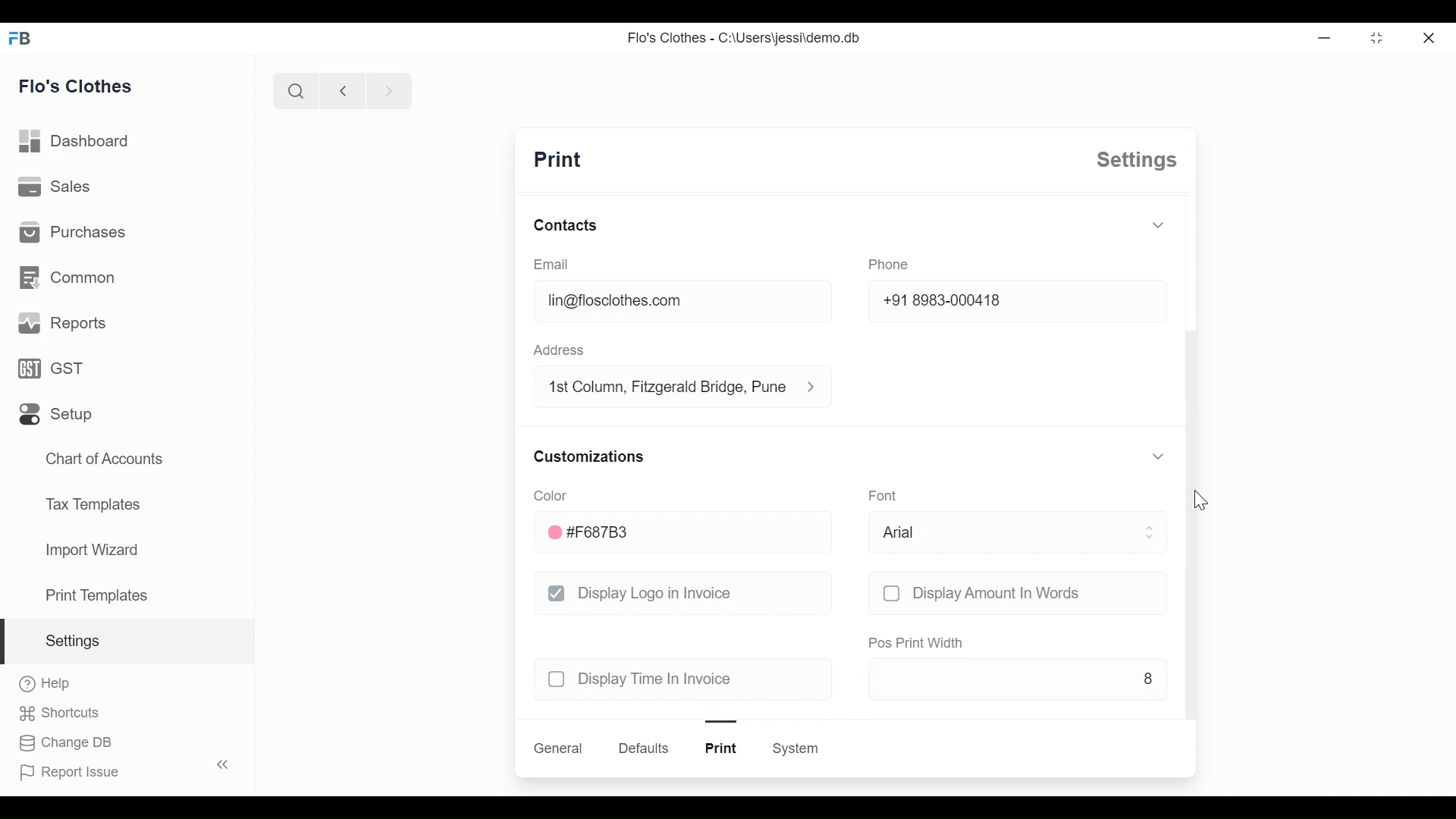 The width and height of the screenshot is (1456, 819). Describe the element at coordinates (97, 595) in the screenshot. I see `print templates` at that location.